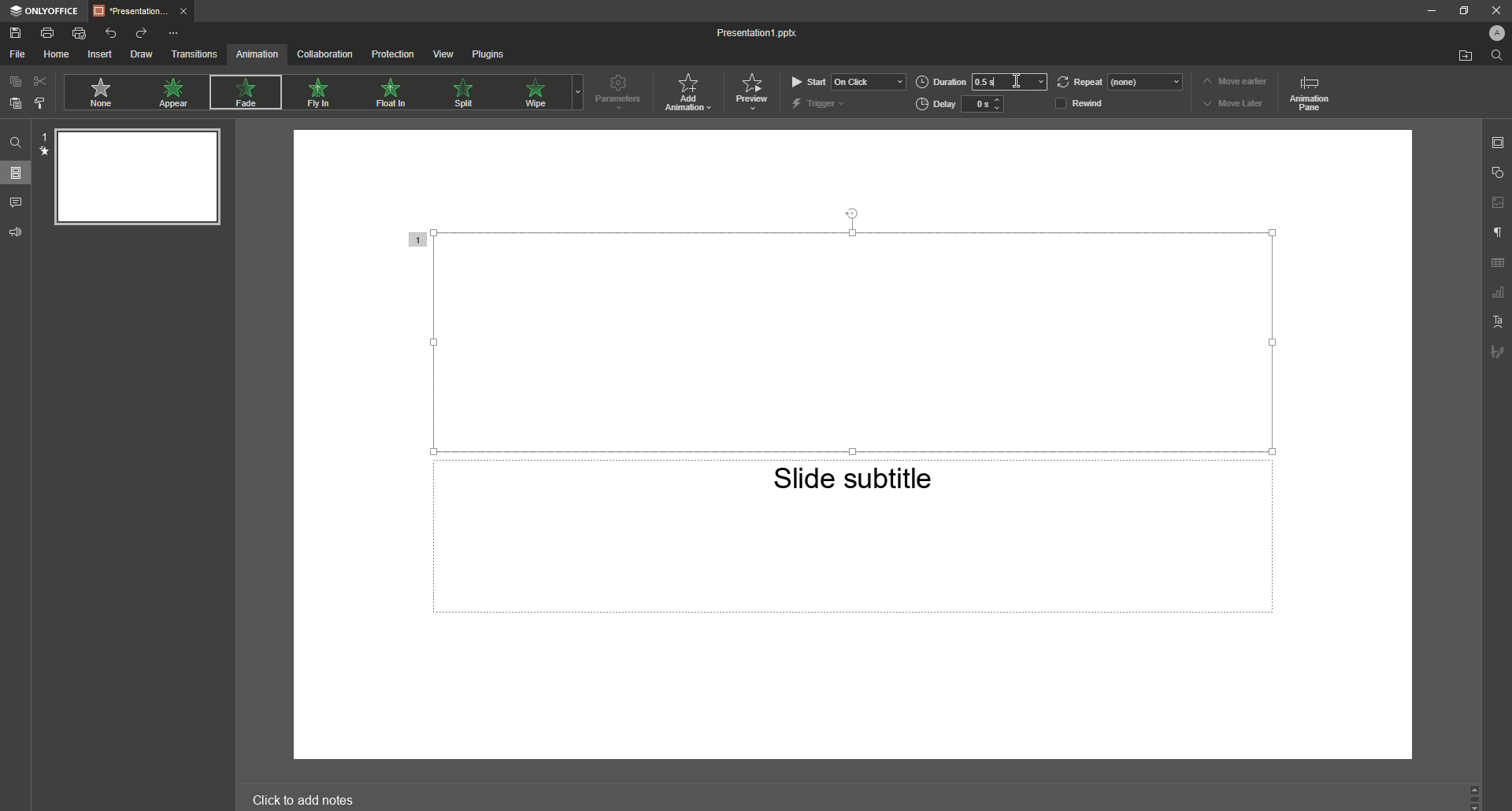 The width and height of the screenshot is (1512, 811). Describe the element at coordinates (1085, 104) in the screenshot. I see `Rewind` at that location.